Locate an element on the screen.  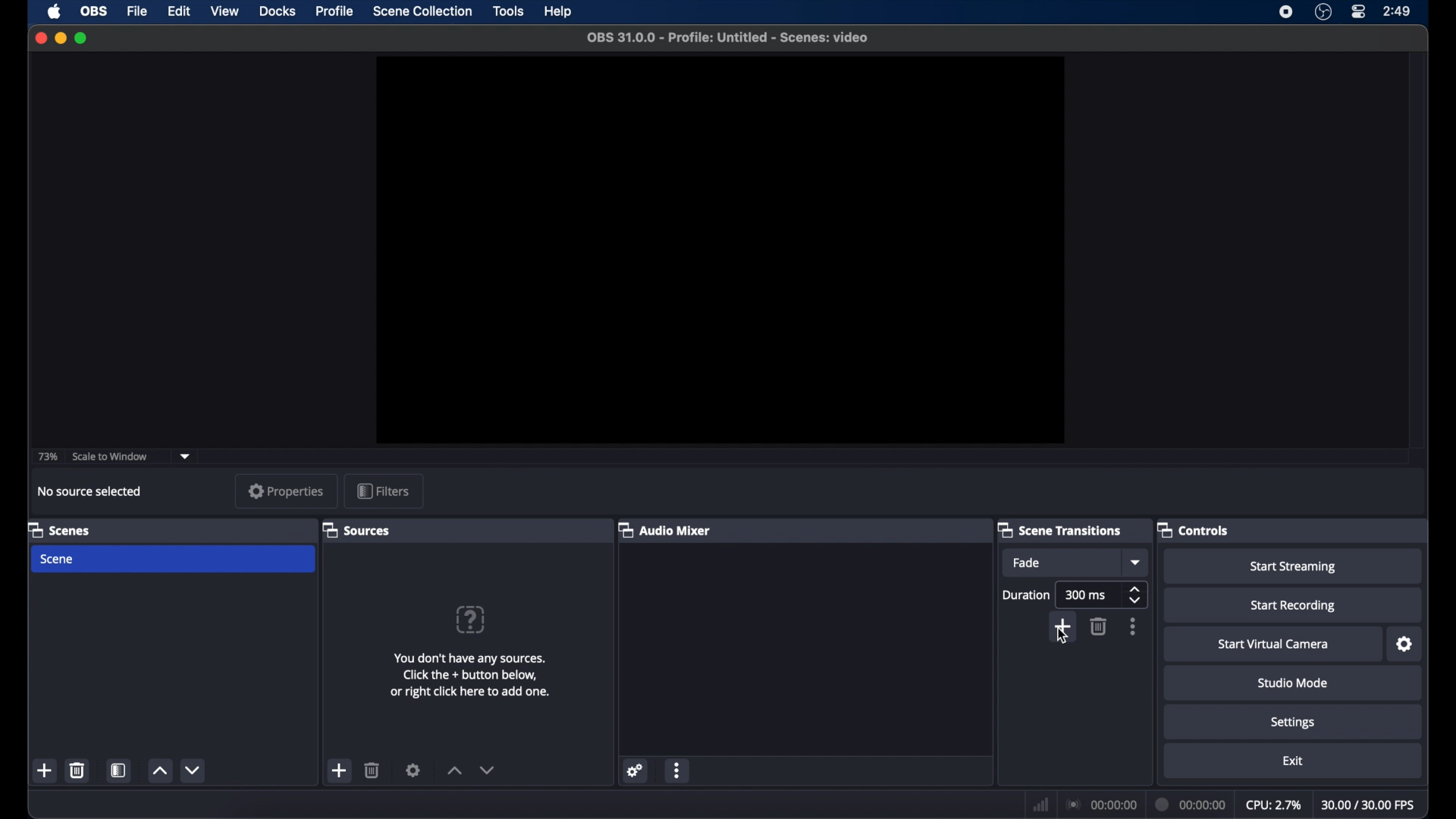
docks is located at coordinates (278, 11).